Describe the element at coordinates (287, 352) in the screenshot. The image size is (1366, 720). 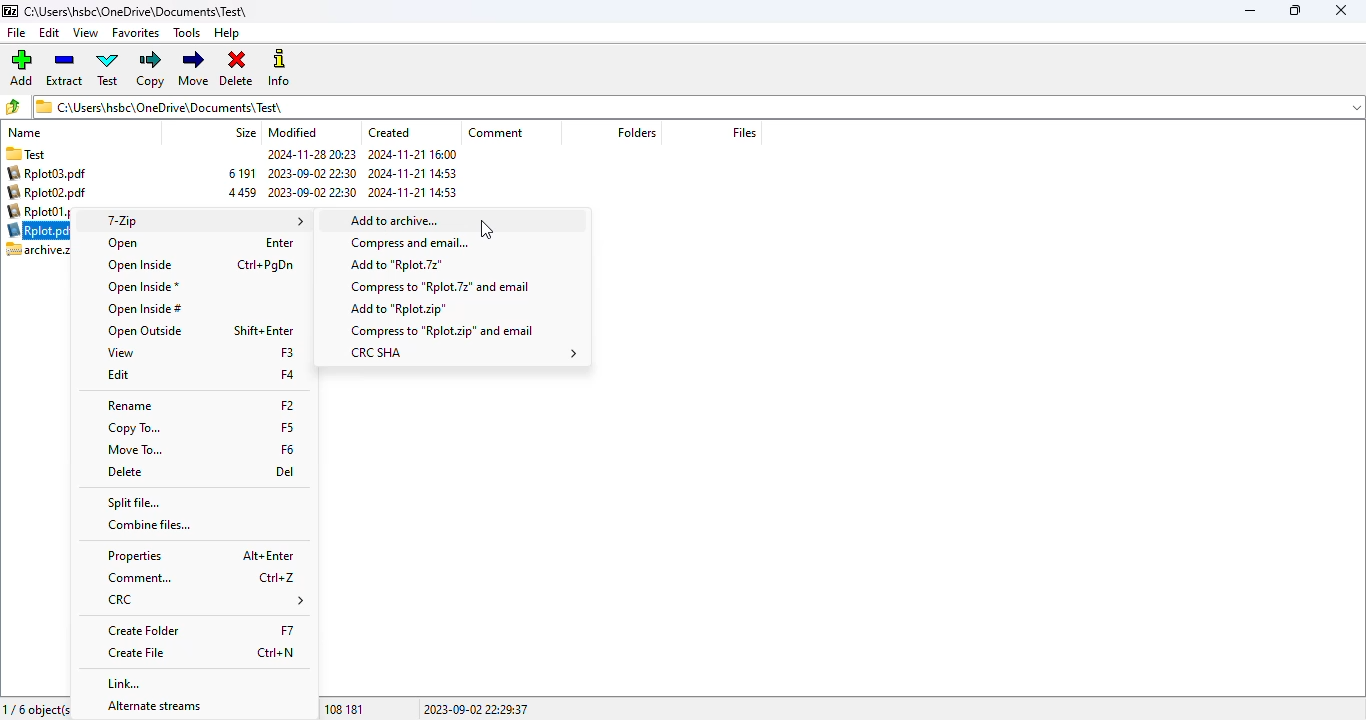
I see `shortcut for view` at that location.